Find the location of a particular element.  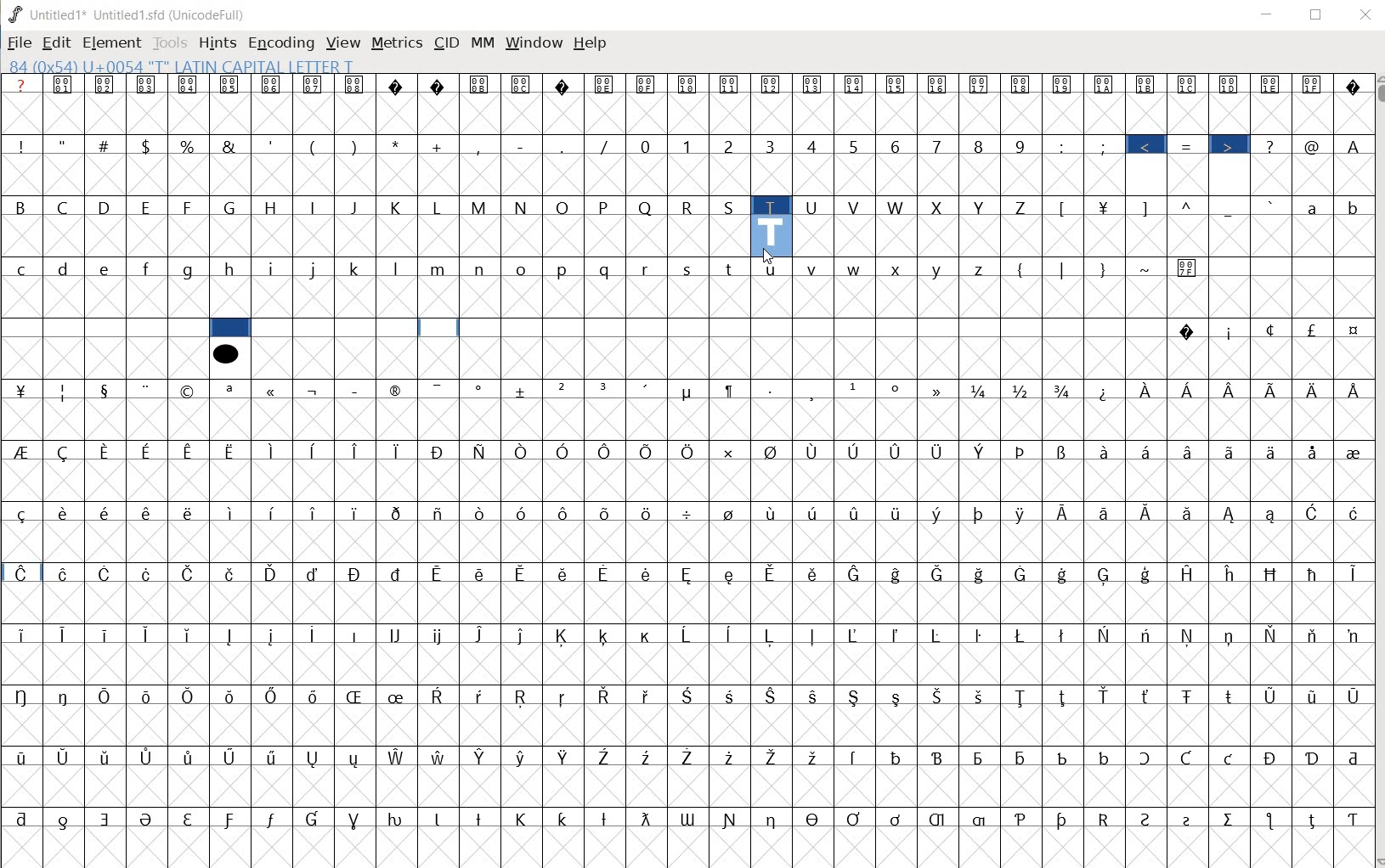

Symbol is located at coordinates (1189, 511).